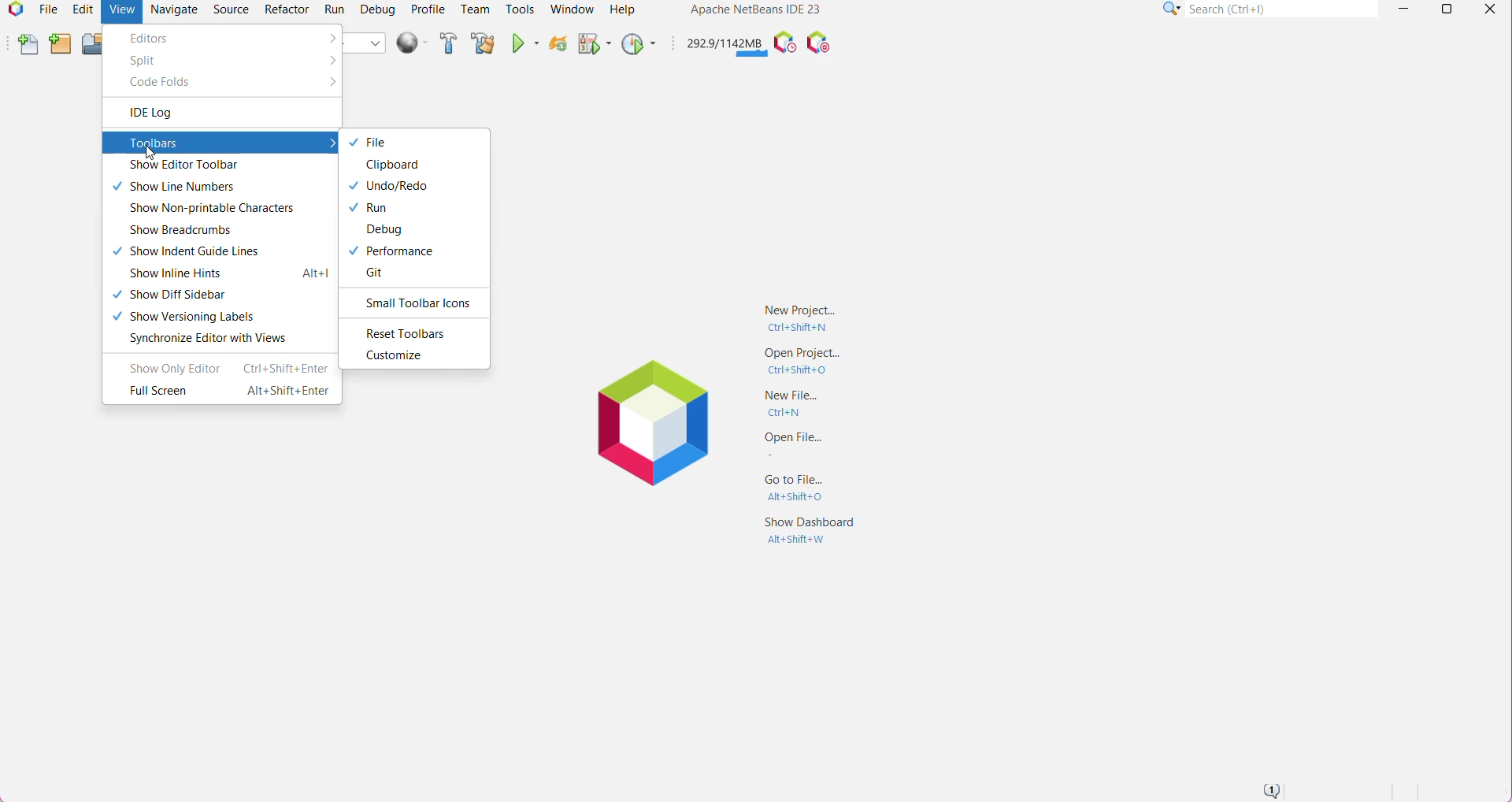 The height and width of the screenshot is (802, 1512). I want to click on More options, so click(328, 38).